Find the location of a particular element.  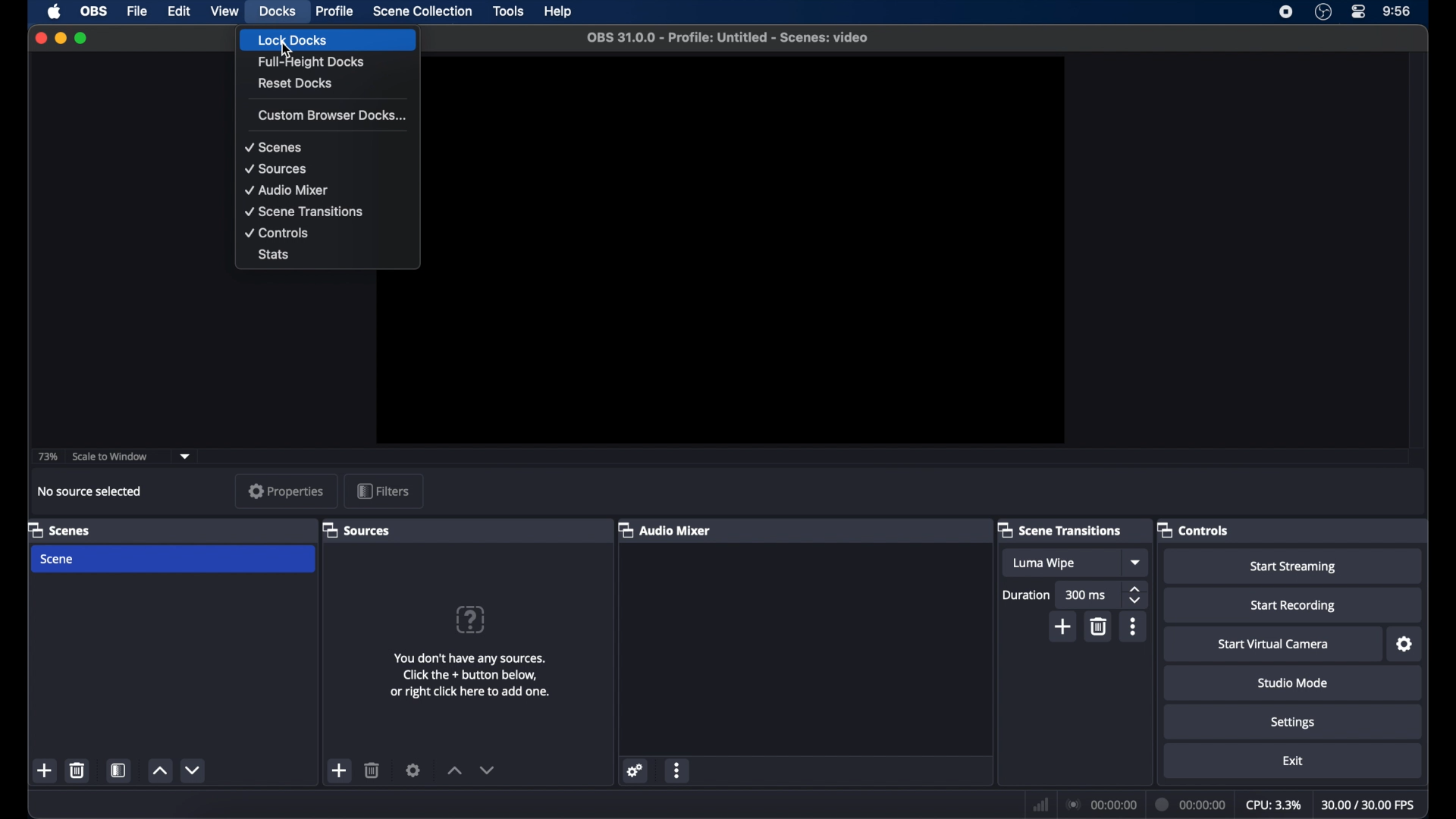

obs is located at coordinates (94, 11).